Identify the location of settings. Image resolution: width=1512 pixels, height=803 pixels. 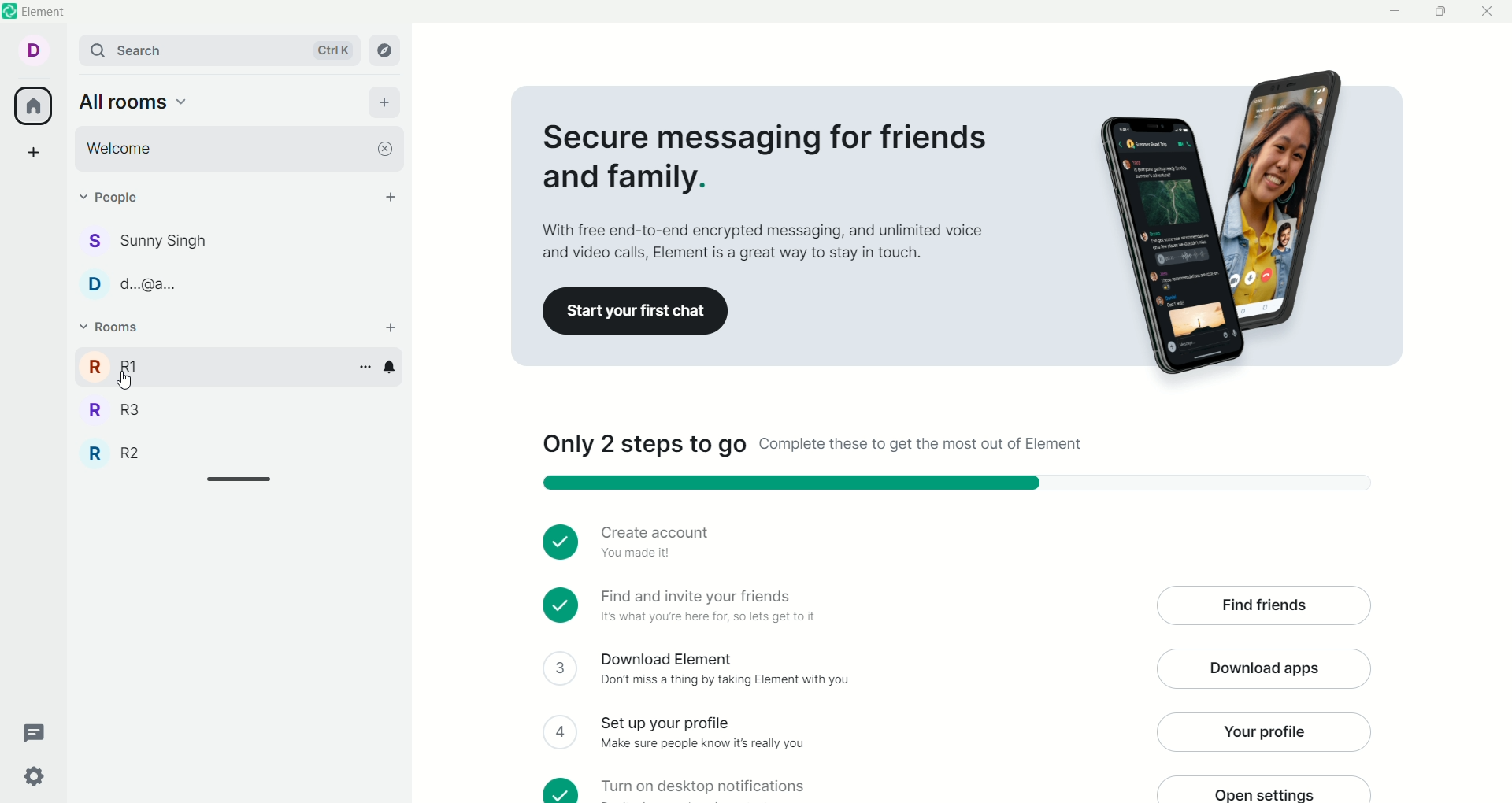
(35, 778).